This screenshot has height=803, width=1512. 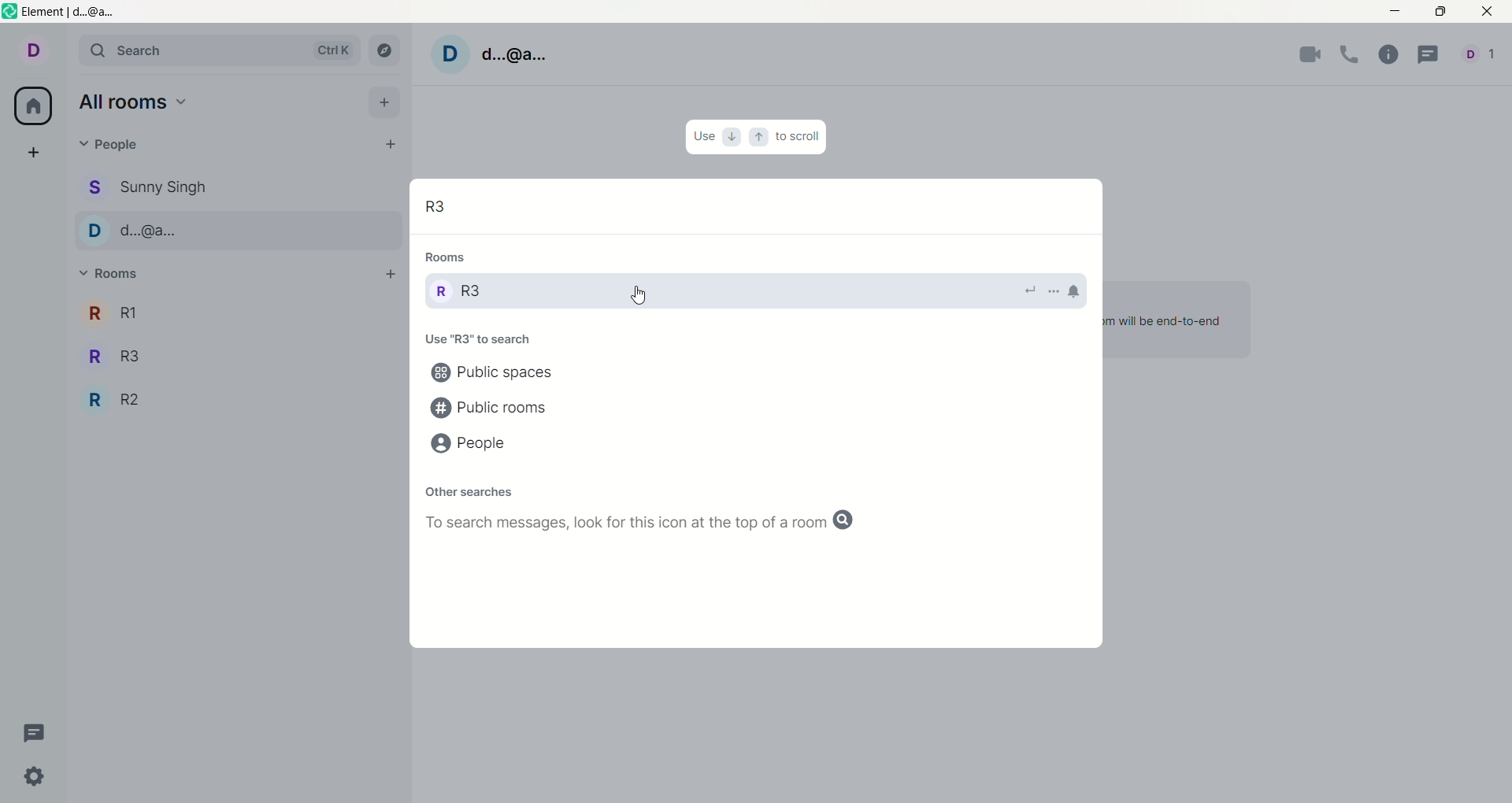 I want to click on maximize, so click(x=1440, y=13).